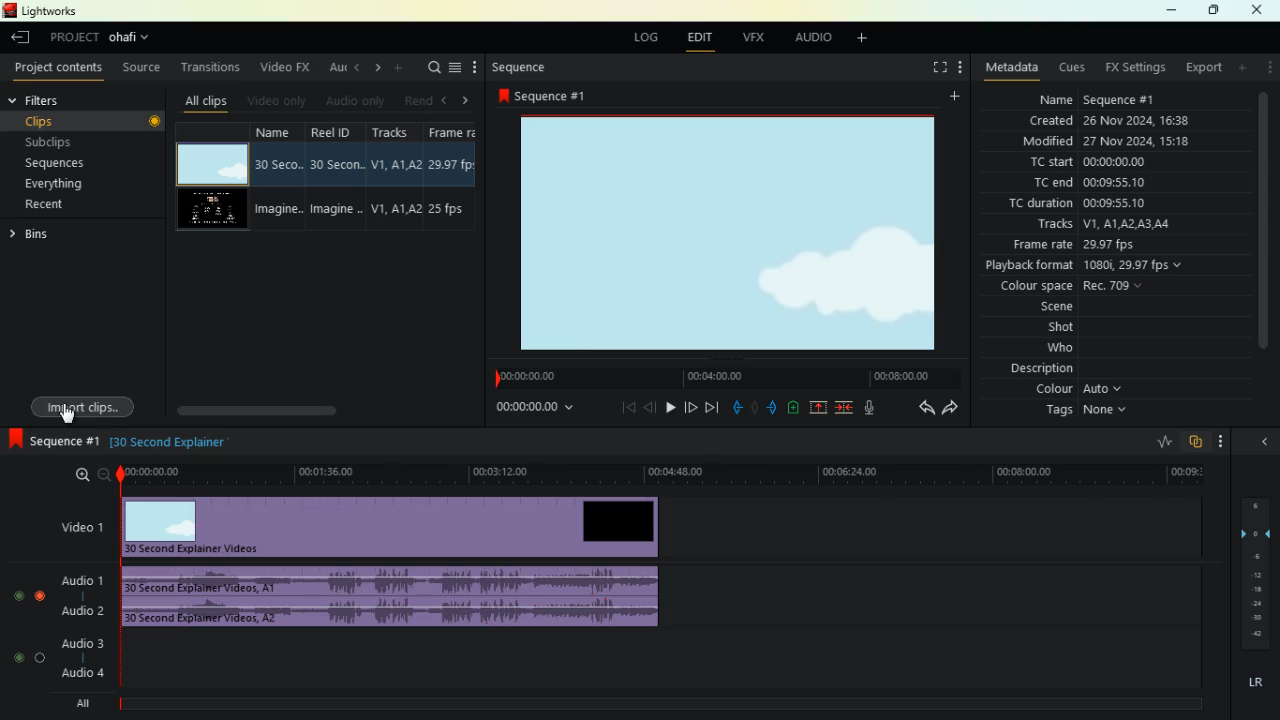 The image size is (1280, 720). I want to click on minimize, so click(1166, 11).